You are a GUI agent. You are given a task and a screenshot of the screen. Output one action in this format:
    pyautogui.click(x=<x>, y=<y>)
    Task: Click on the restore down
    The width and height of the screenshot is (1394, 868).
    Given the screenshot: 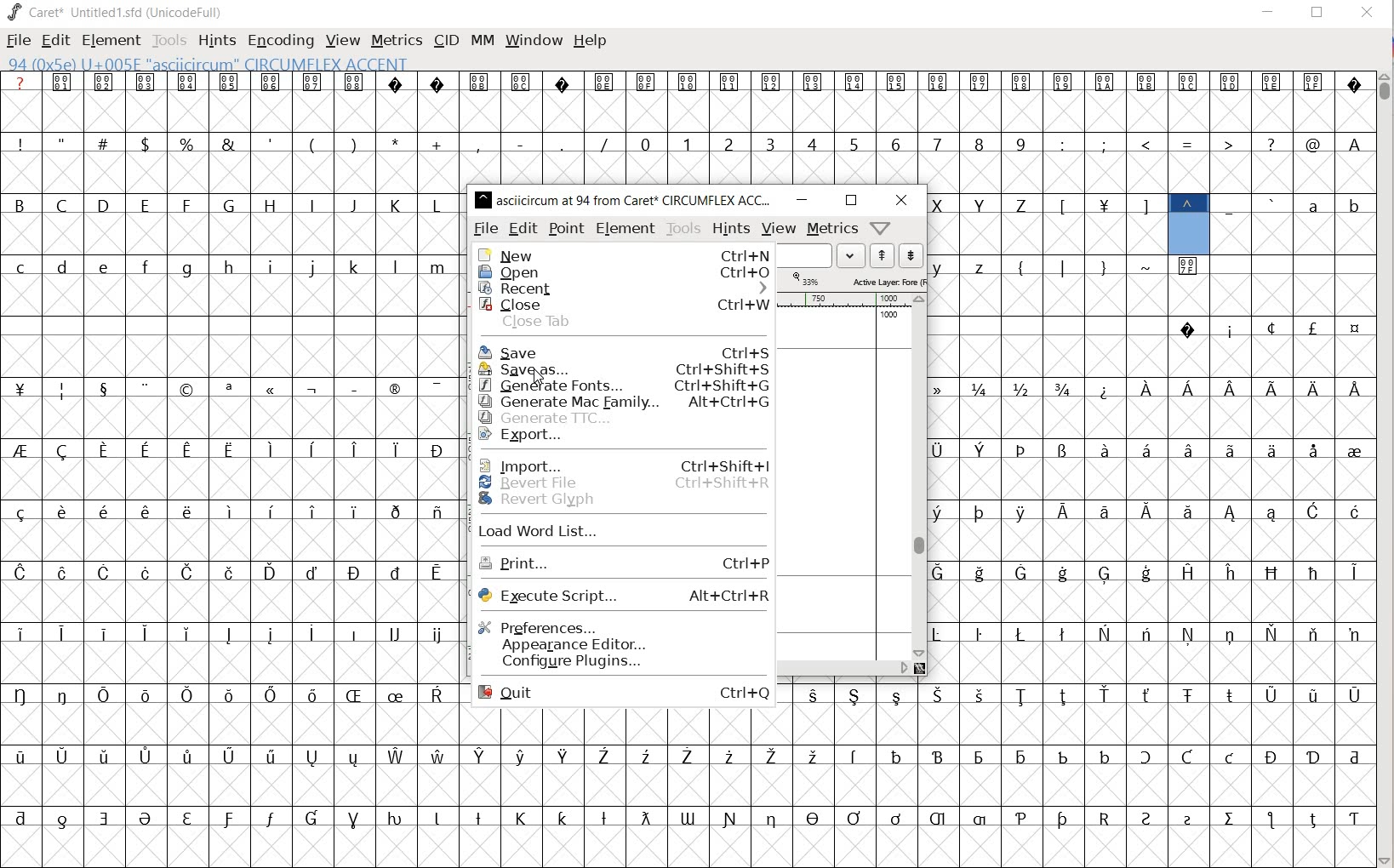 What is the action you would take?
    pyautogui.click(x=850, y=201)
    